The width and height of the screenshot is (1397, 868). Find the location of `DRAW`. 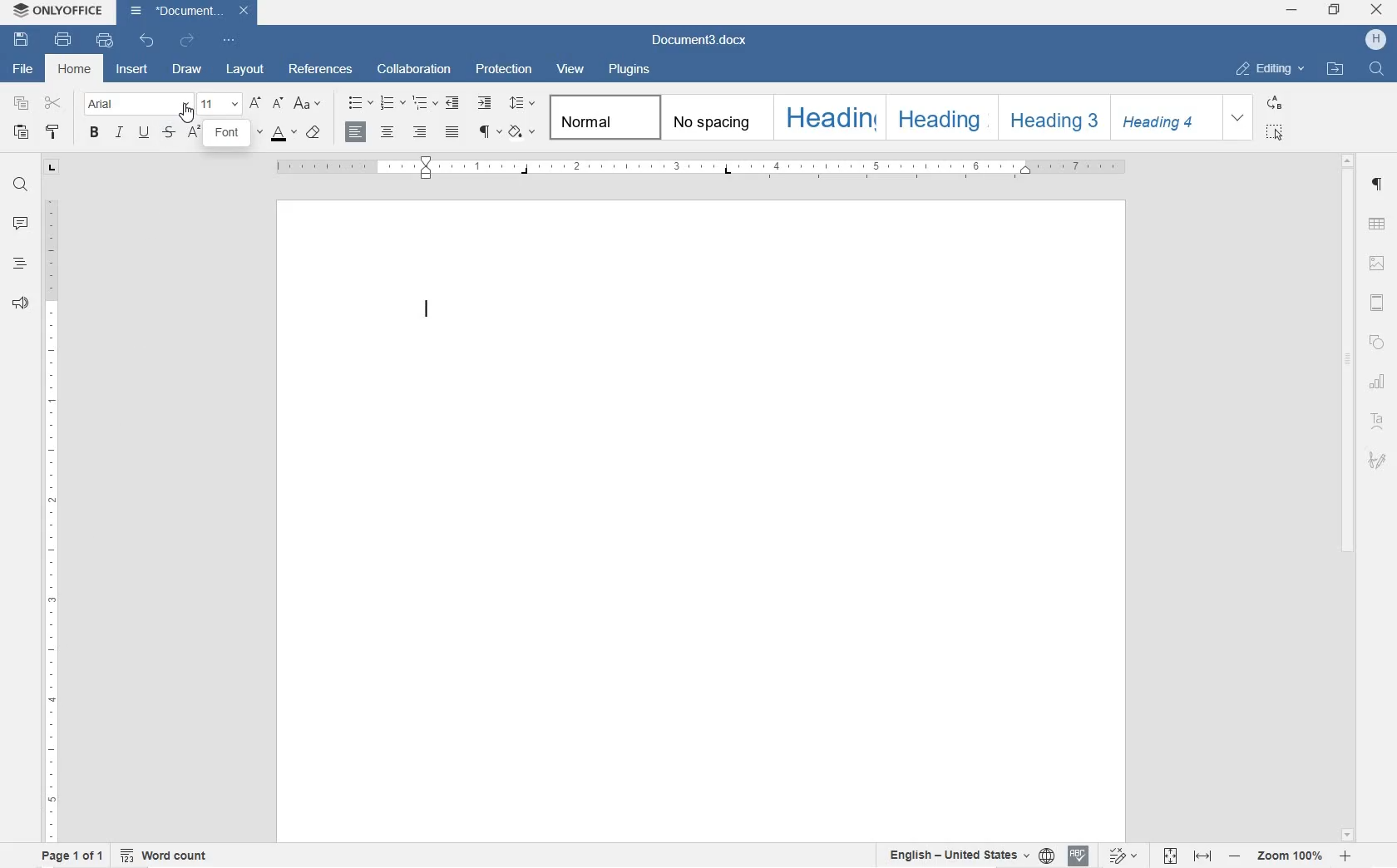

DRAW is located at coordinates (188, 67).